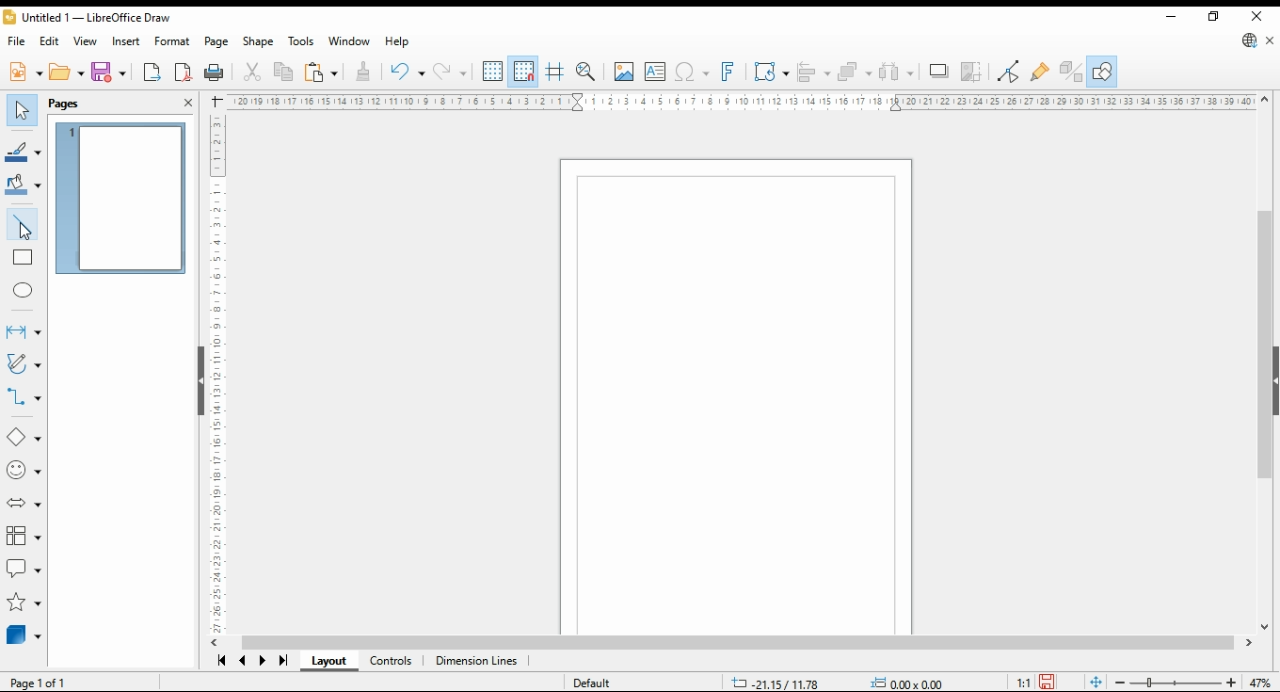  Describe the element at coordinates (348, 42) in the screenshot. I see `window` at that location.